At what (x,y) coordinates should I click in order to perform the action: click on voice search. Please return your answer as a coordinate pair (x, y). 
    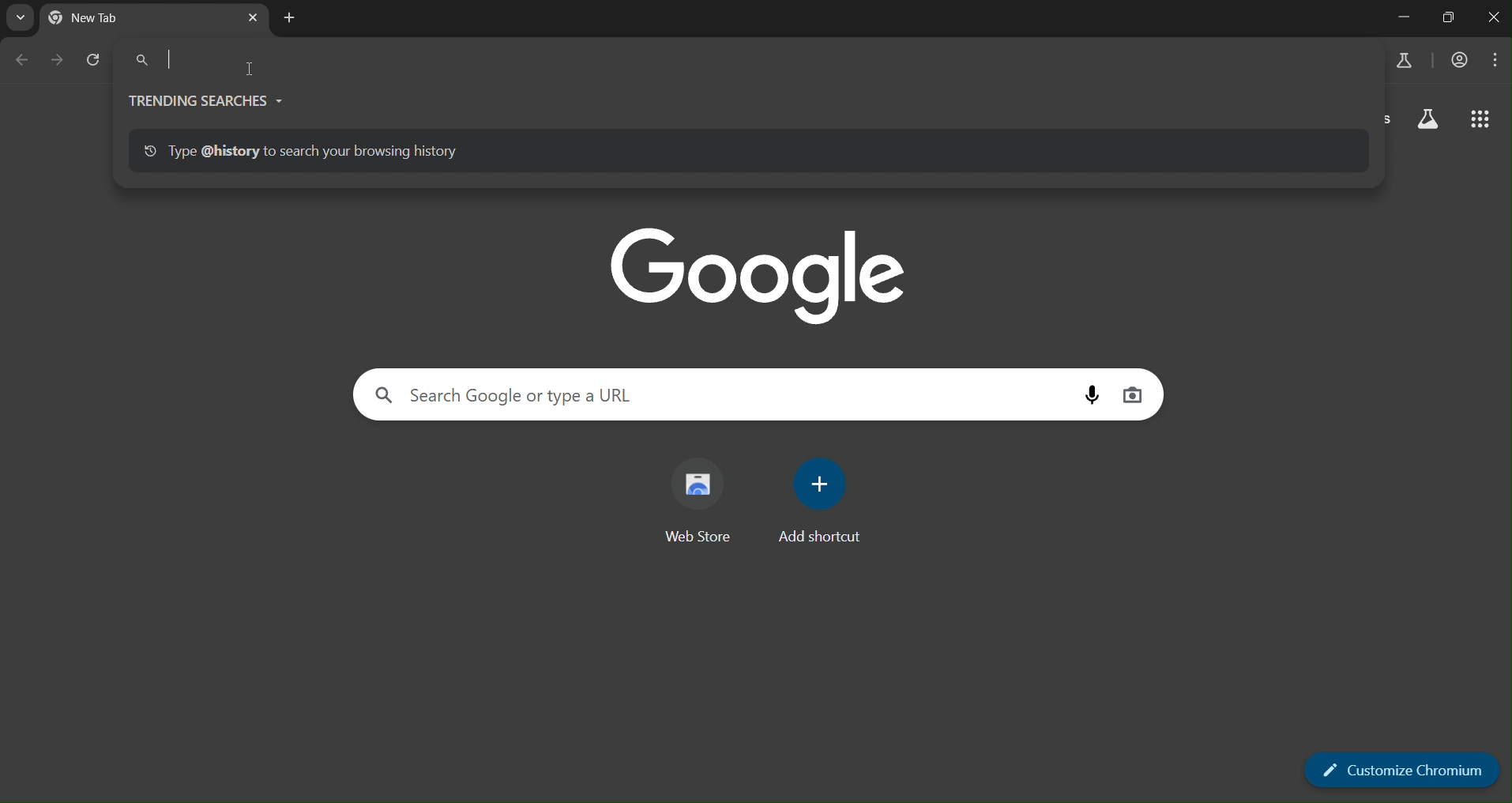
    Looking at the image, I should click on (1093, 394).